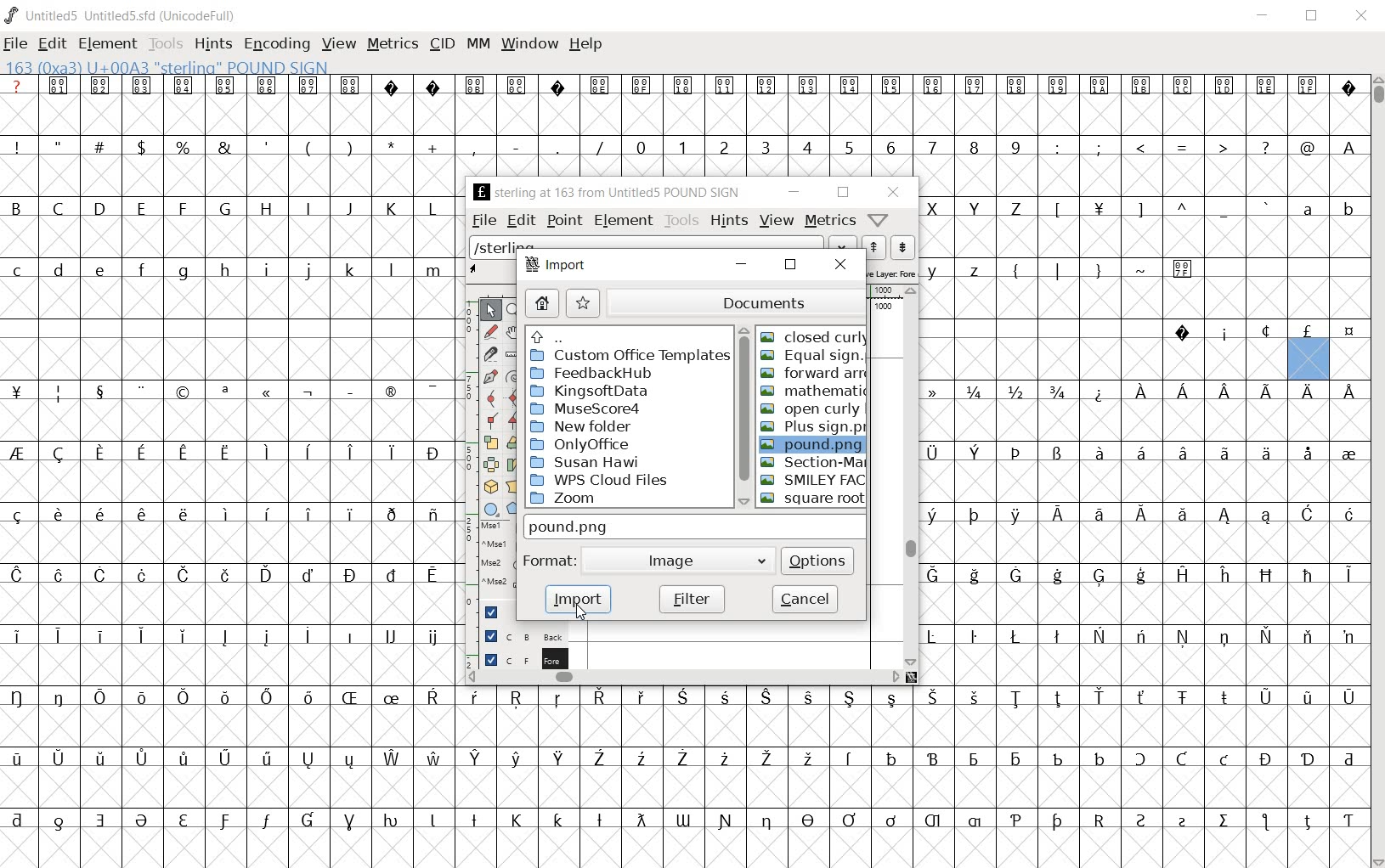 The height and width of the screenshot is (868, 1385). I want to click on 1000, so click(883, 307).